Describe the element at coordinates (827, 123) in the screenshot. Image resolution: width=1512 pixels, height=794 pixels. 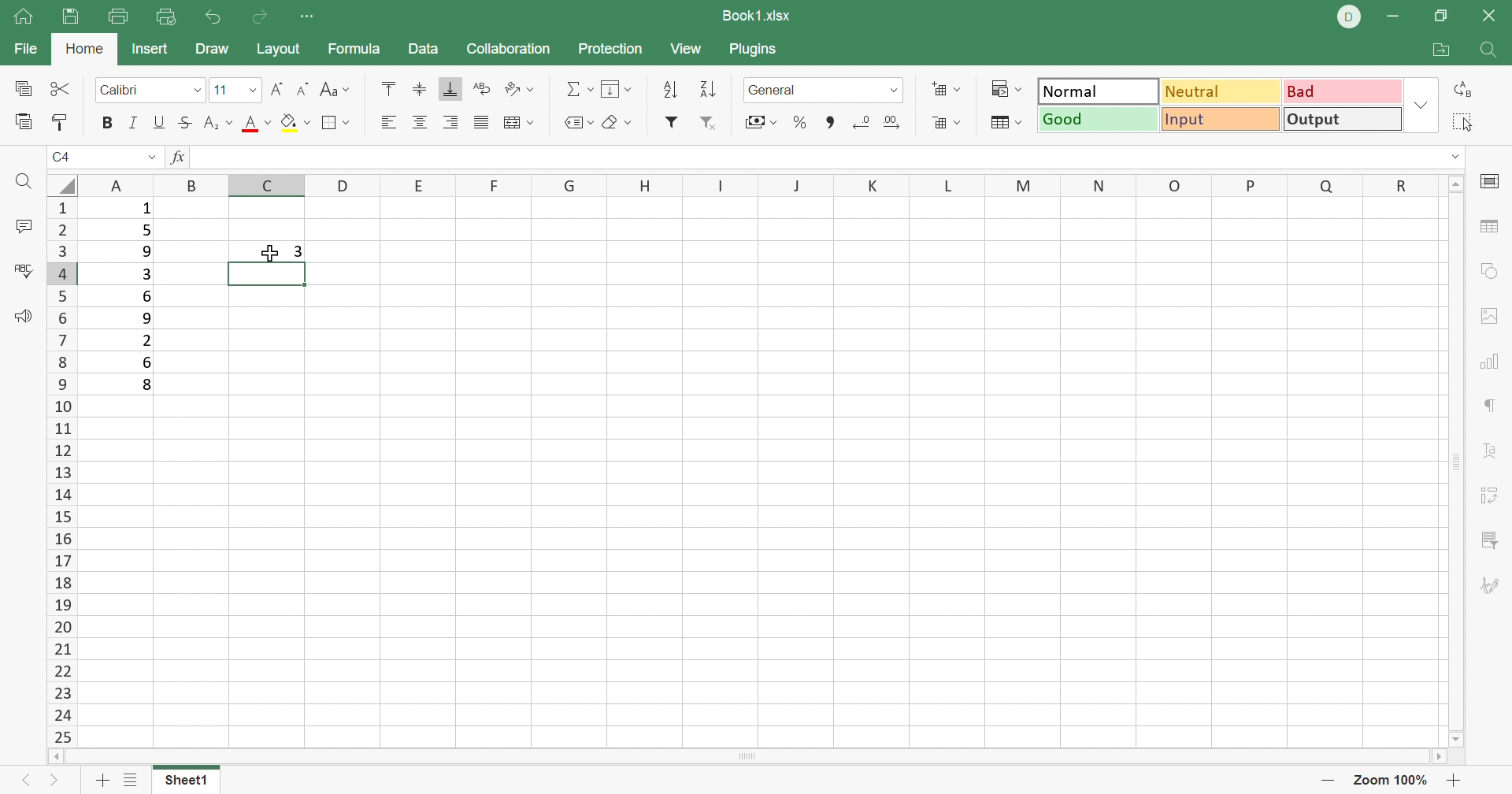
I see `Comma style` at that location.